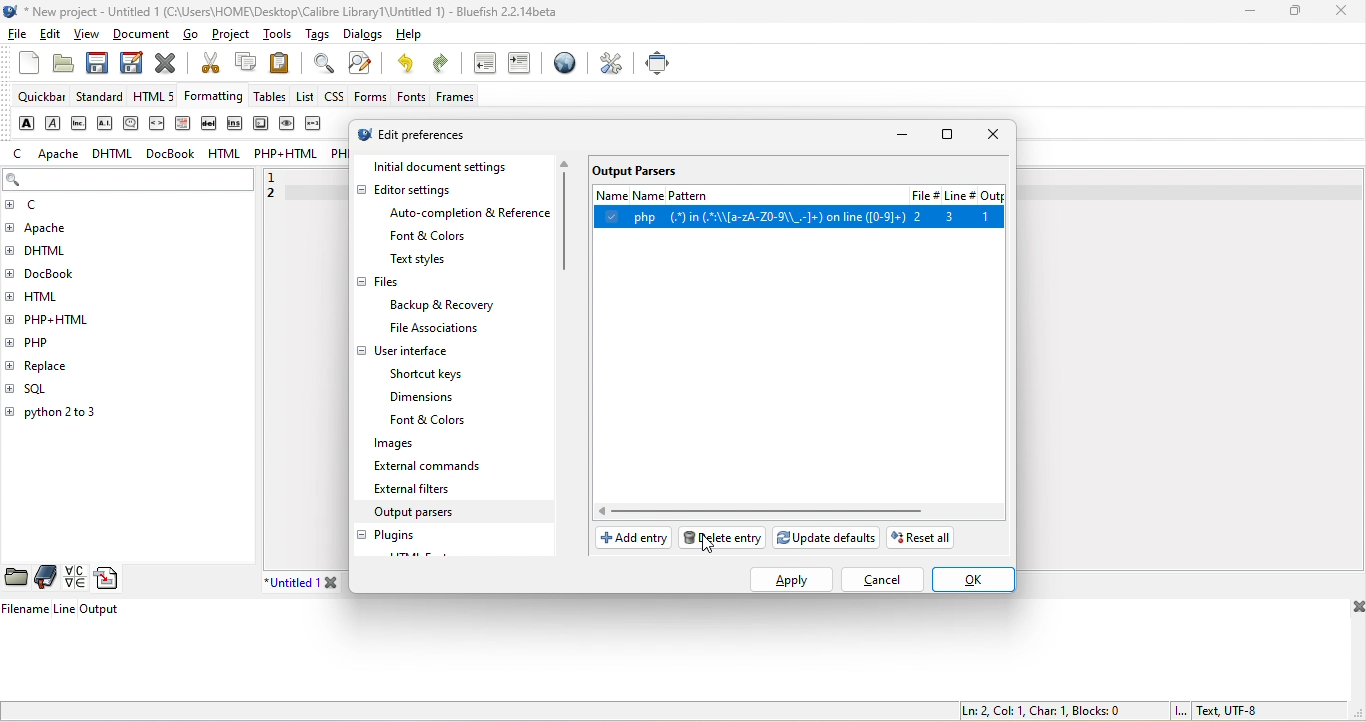  What do you see at coordinates (764, 511) in the screenshot?
I see `horizontal scroll bar` at bounding box center [764, 511].